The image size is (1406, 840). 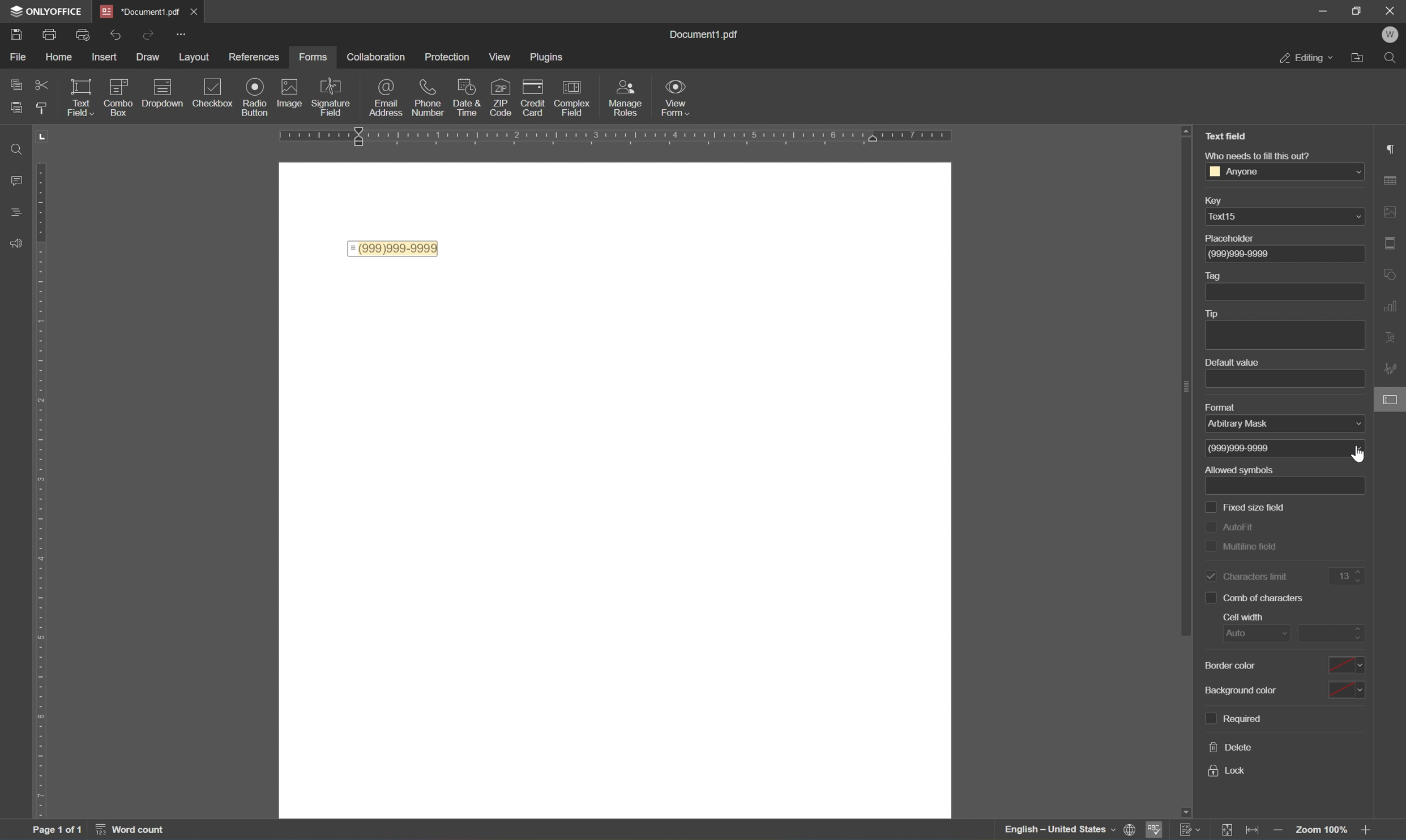 What do you see at coordinates (1394, 247) in the screenshot?
I see `header and footer settings` at bounding box center [1394, 247].